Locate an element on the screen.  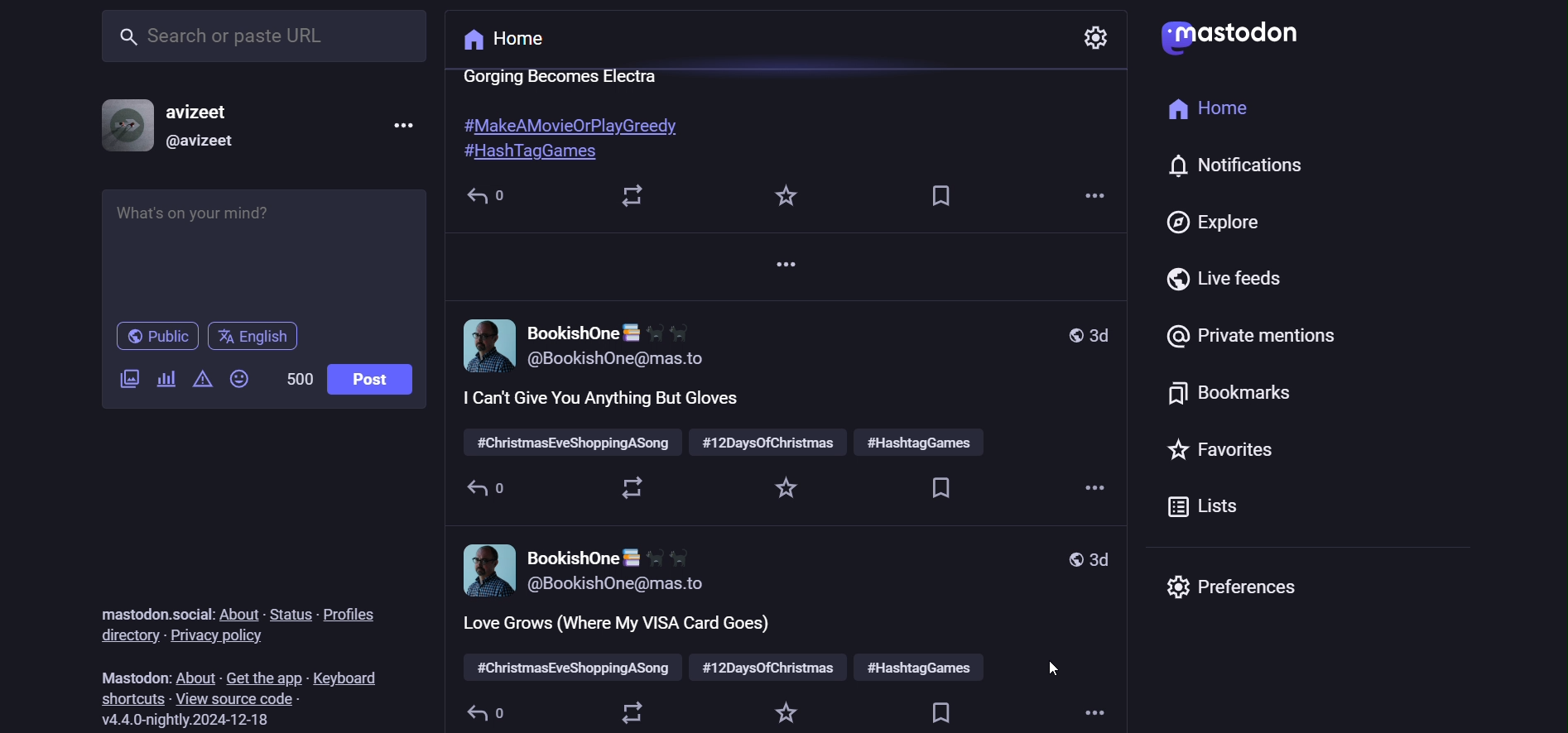
mastodon social is located at coordinates (152, 614).